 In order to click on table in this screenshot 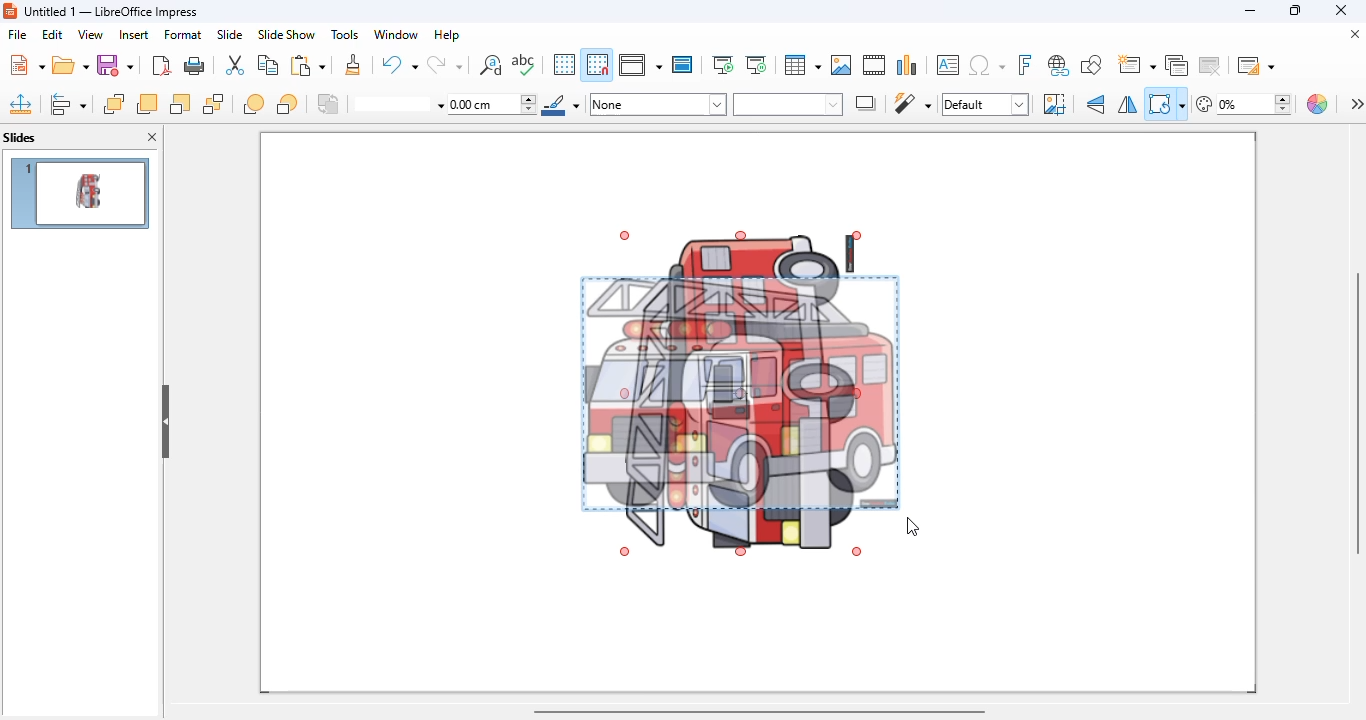, I will do `click(803, 65)`.